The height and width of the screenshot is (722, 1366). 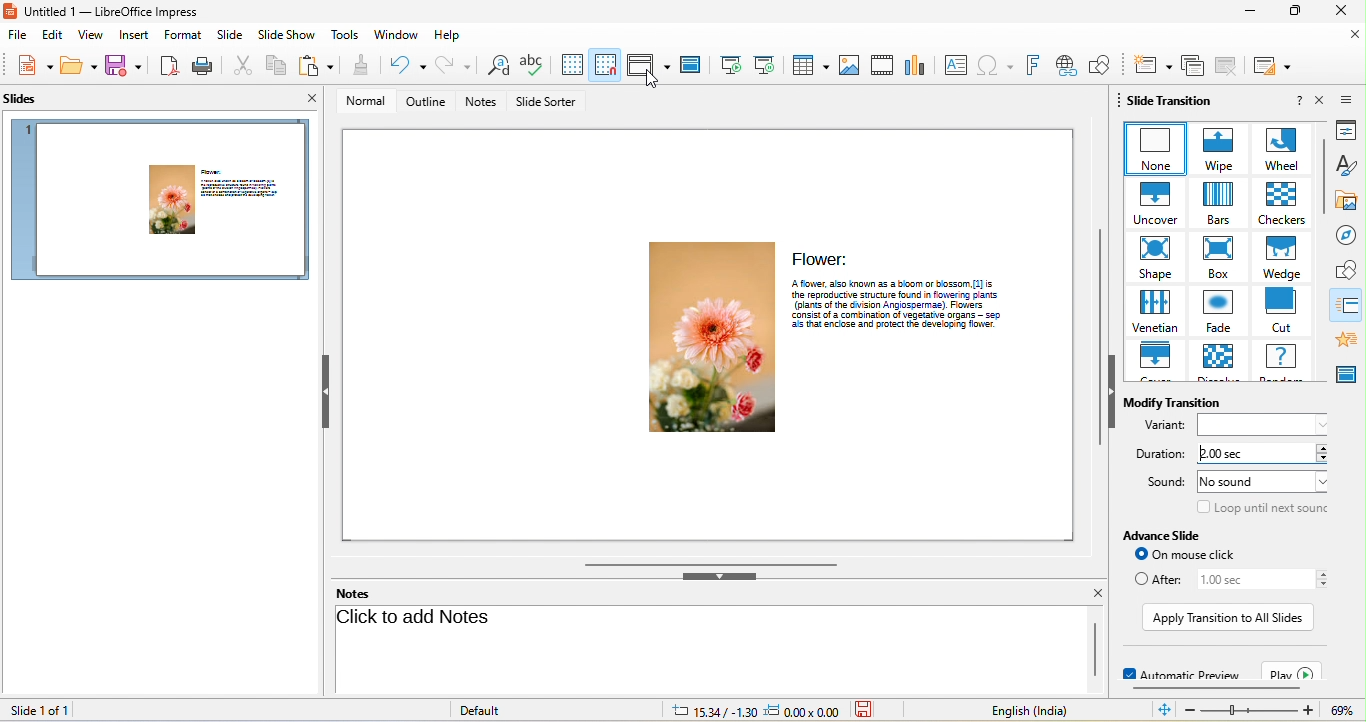 I want to click on cut, so click(x=236, y=65).